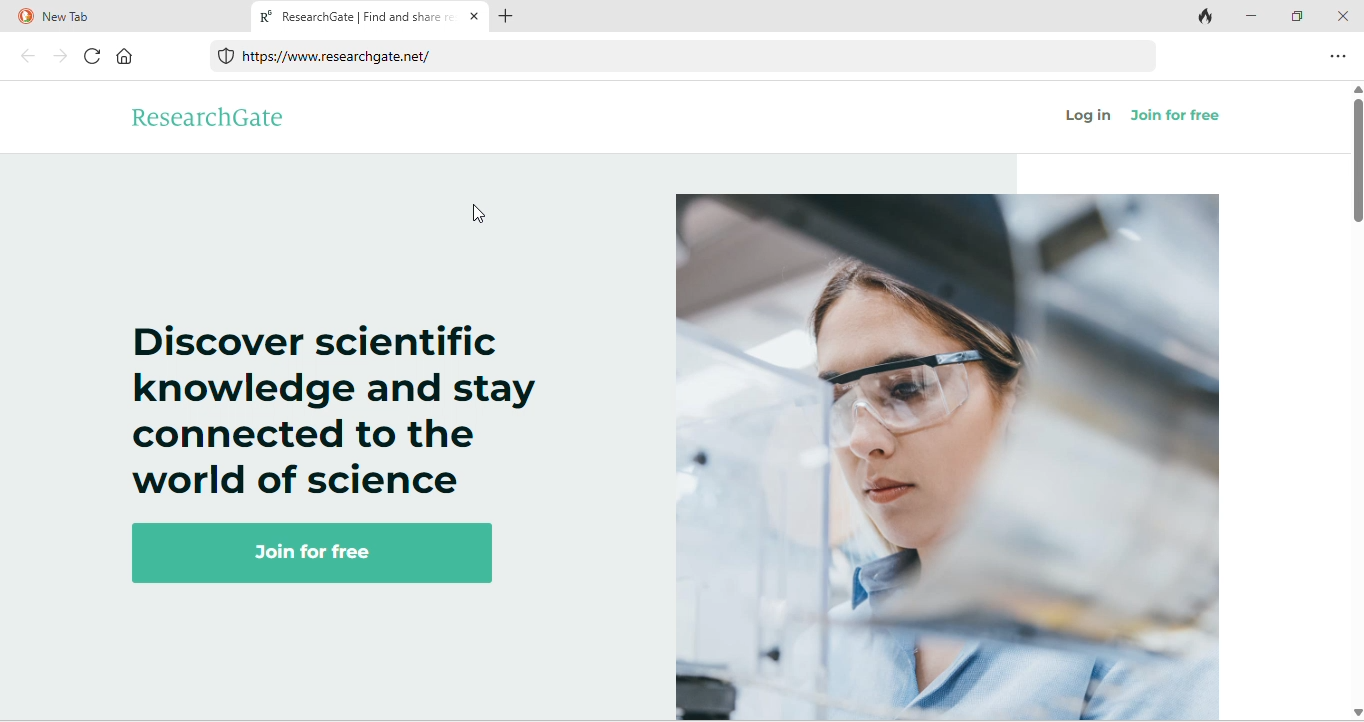 This screenshot has width=1364, height=722. I want to click on minimize, so click(1256, 17).